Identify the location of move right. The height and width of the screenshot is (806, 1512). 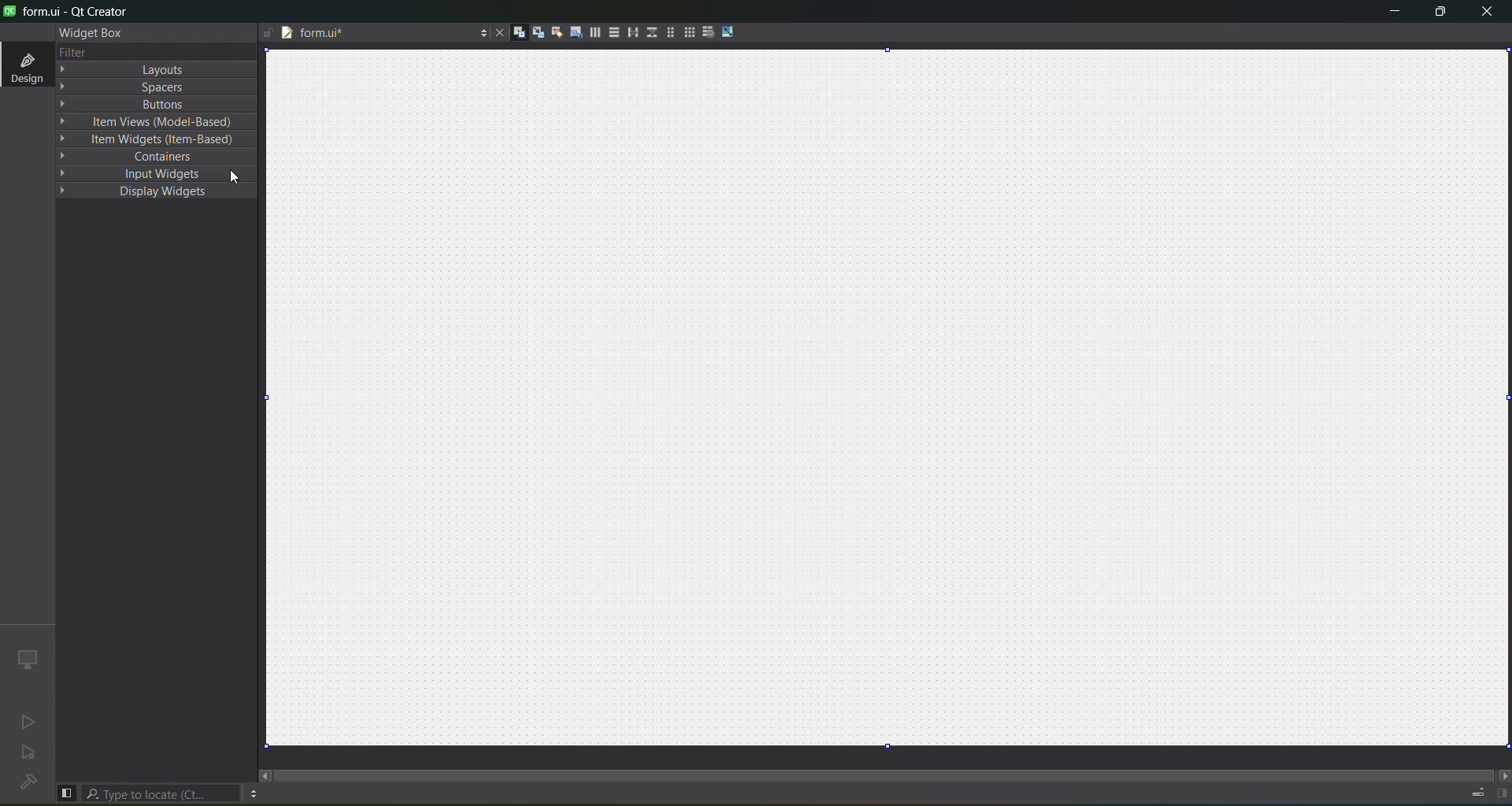
(265, 775).